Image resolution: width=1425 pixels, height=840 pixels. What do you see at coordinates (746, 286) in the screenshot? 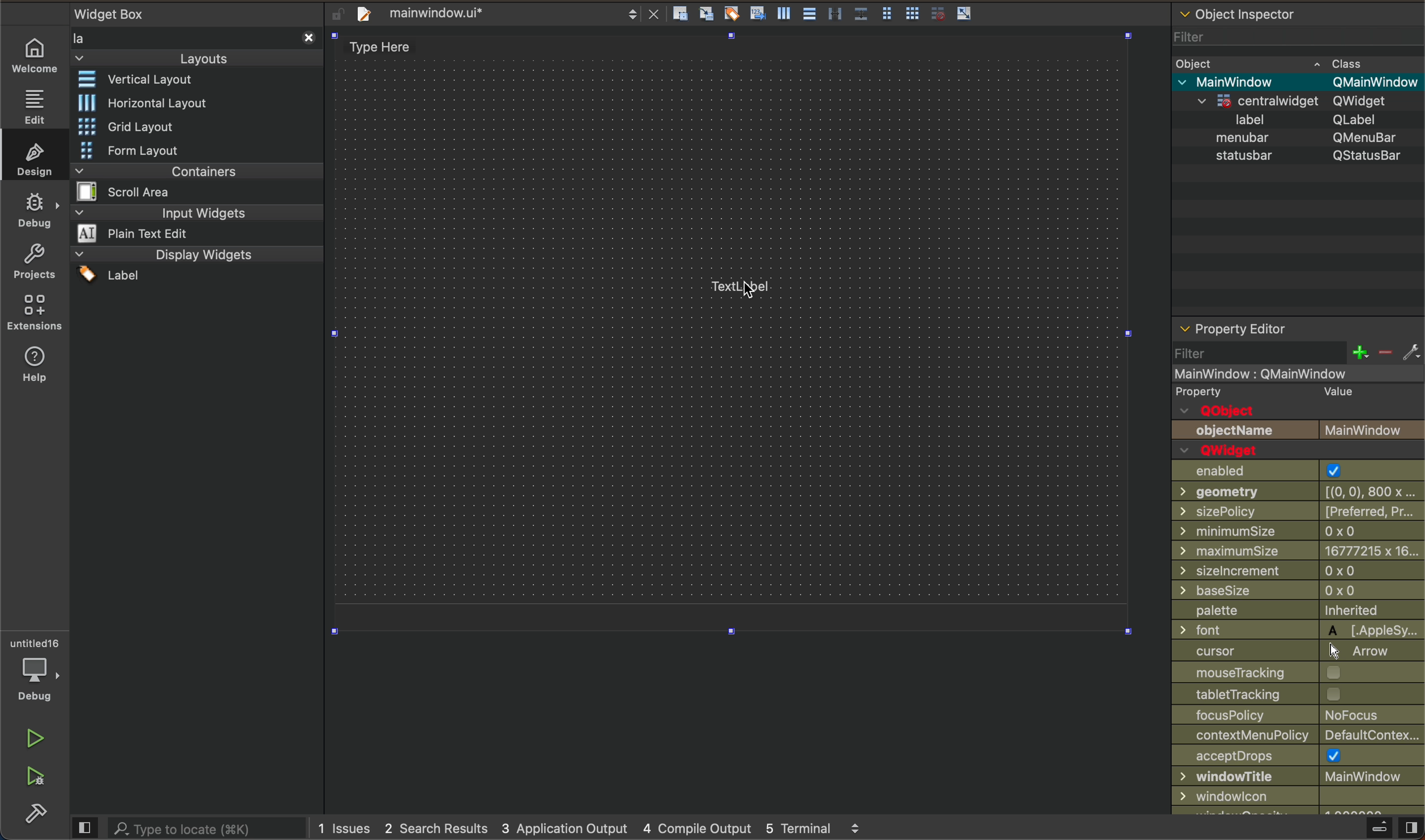
I see `lable` at bounding box center [746, 286].